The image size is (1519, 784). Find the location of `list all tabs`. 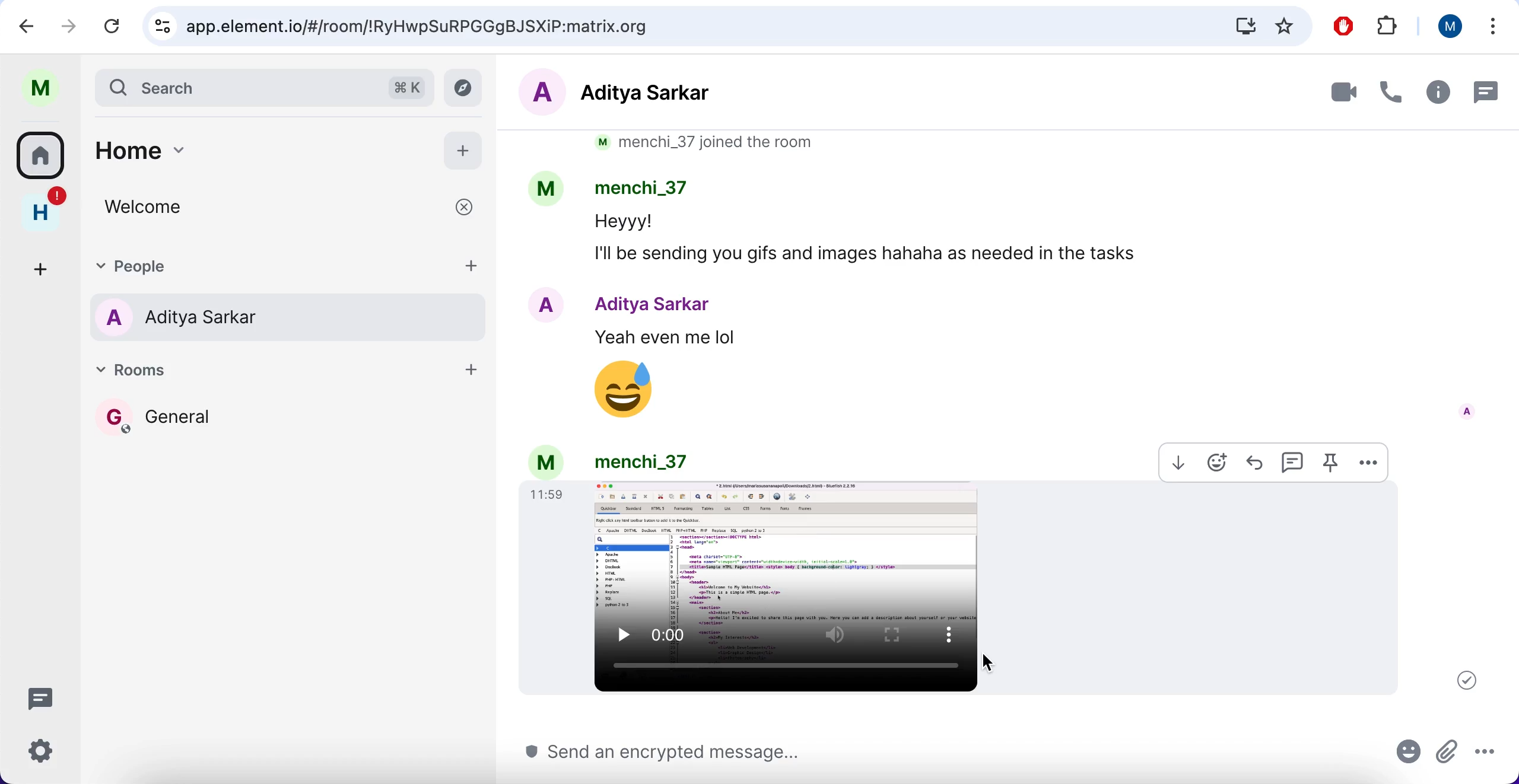

list all tabs is located at coordinates (1489, 28).